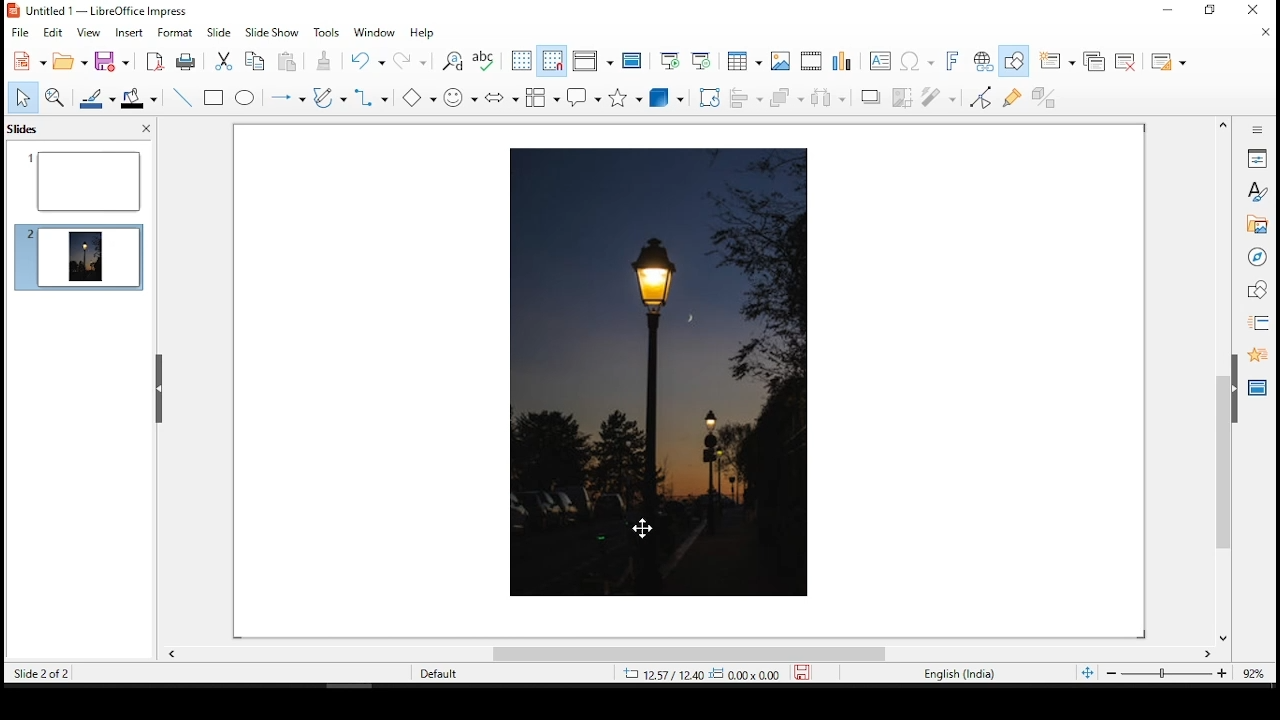  I want to click on styles, so click(1255, 192).